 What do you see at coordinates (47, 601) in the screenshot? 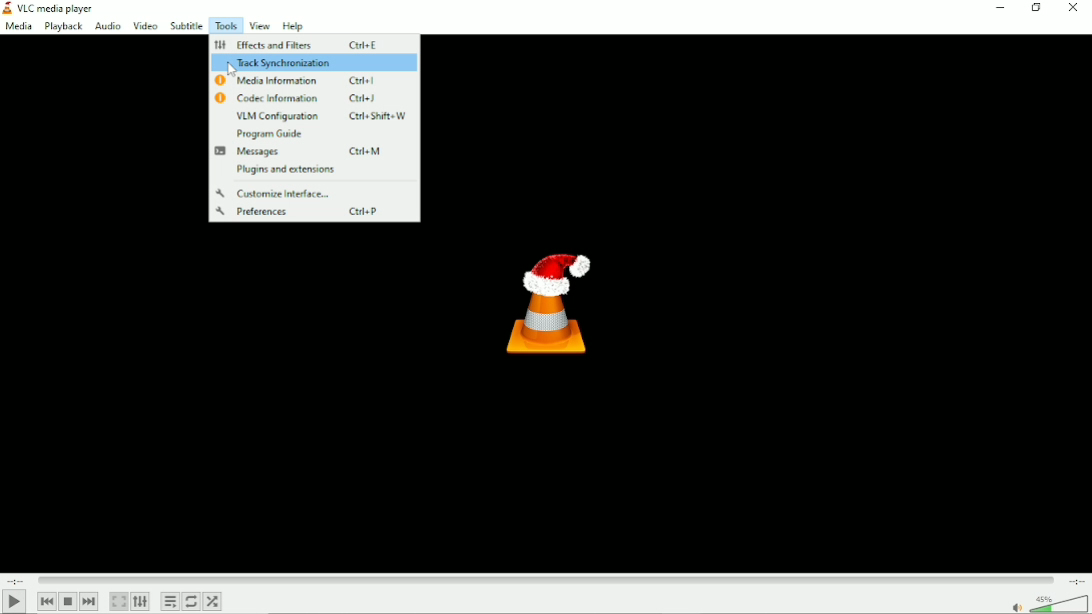
I see `previous` at bounding box center [47, 601].